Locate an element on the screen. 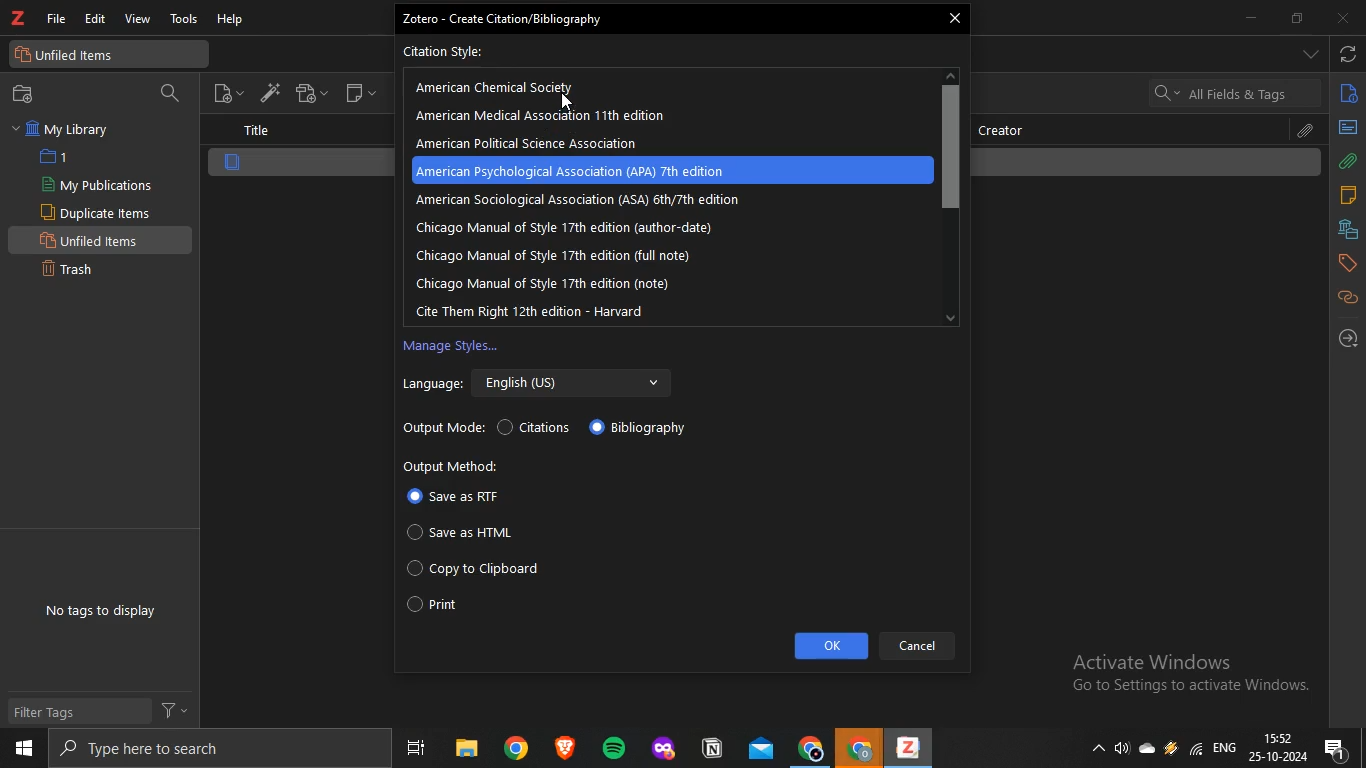  attachments is located at coordinates (1348, 161).